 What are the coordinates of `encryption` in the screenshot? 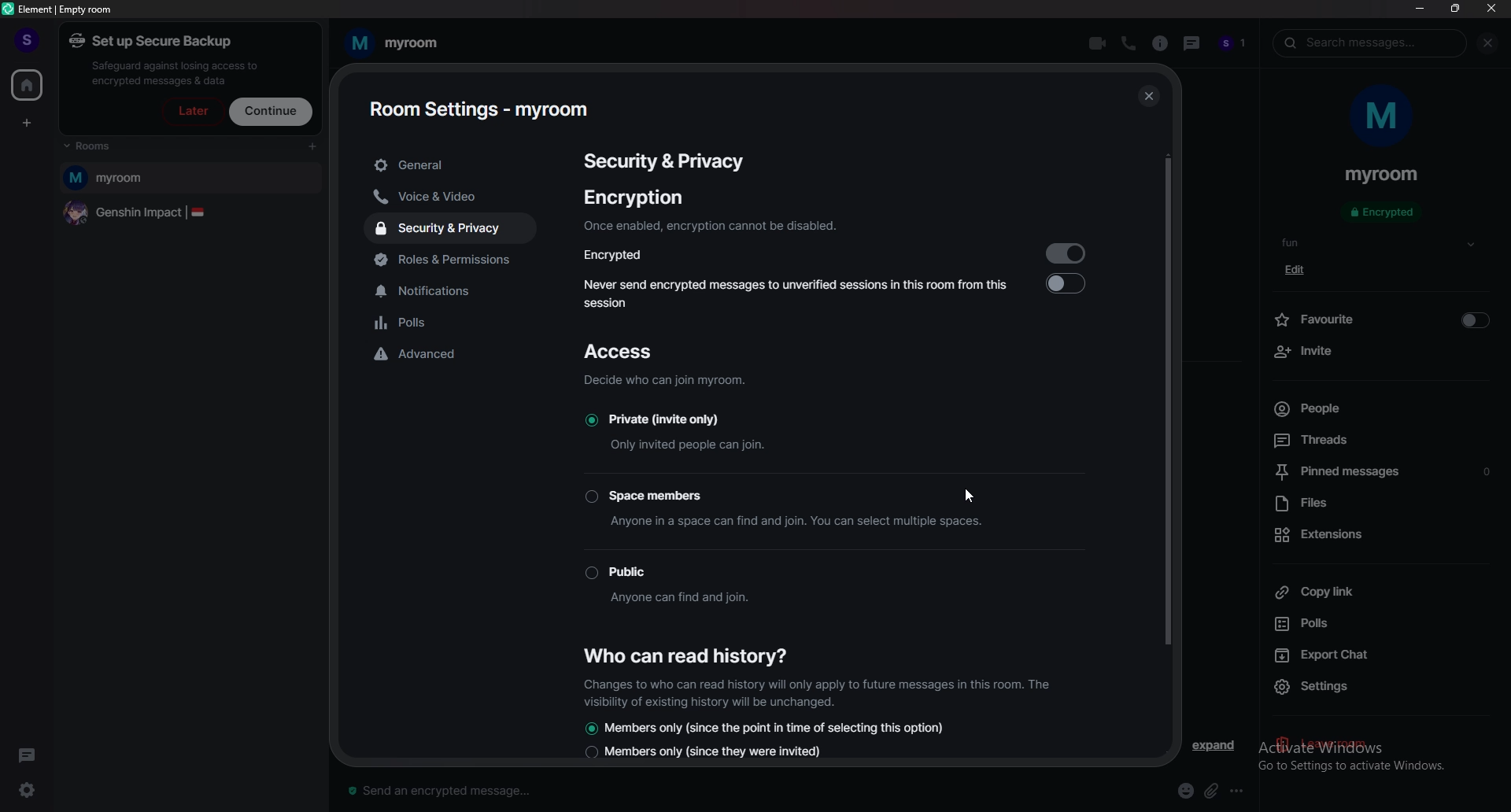 It's located at (633, 197).